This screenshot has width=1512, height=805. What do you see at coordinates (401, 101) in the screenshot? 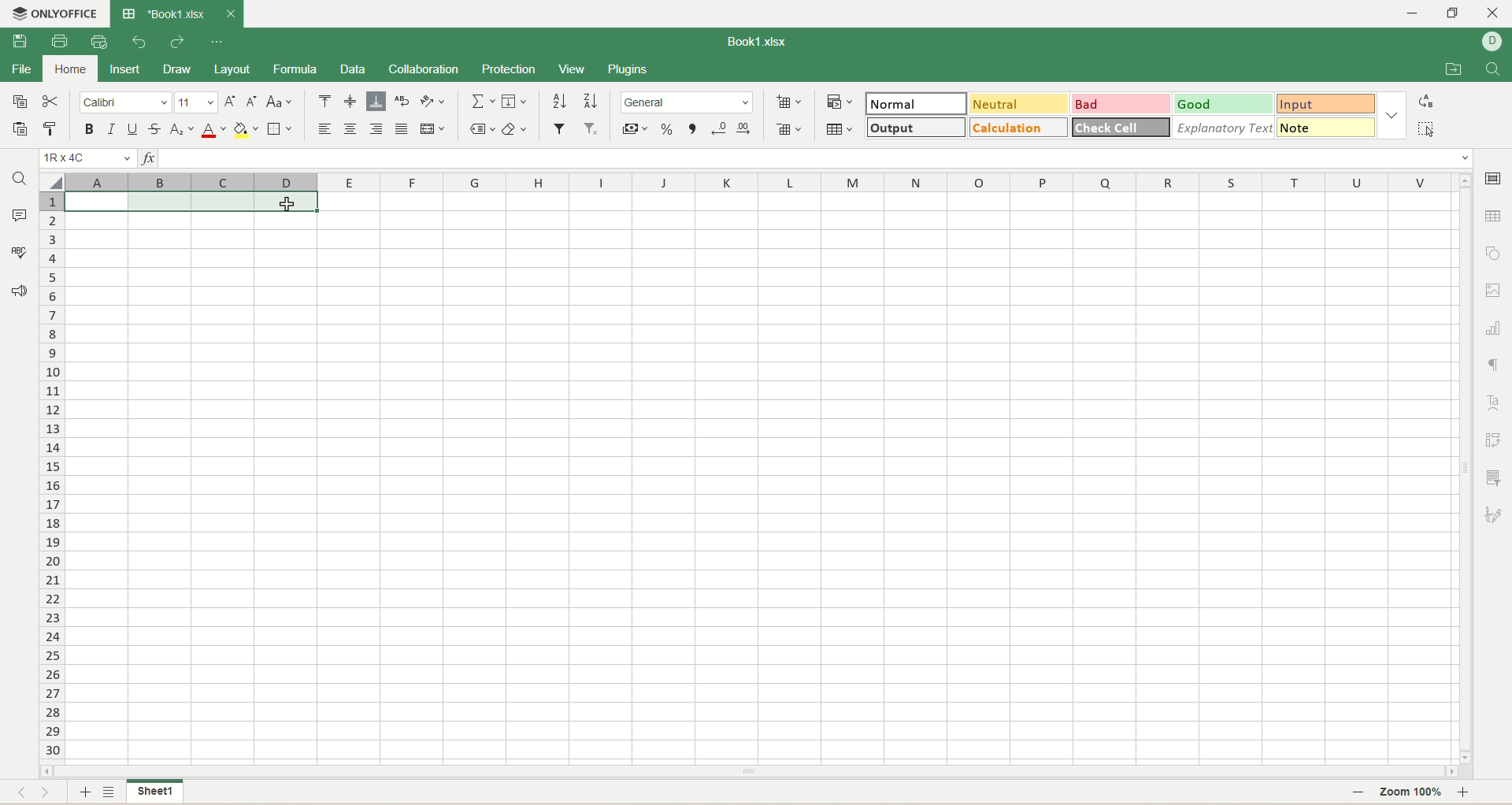
I see `wrap text` at bounding box center [401, 101].